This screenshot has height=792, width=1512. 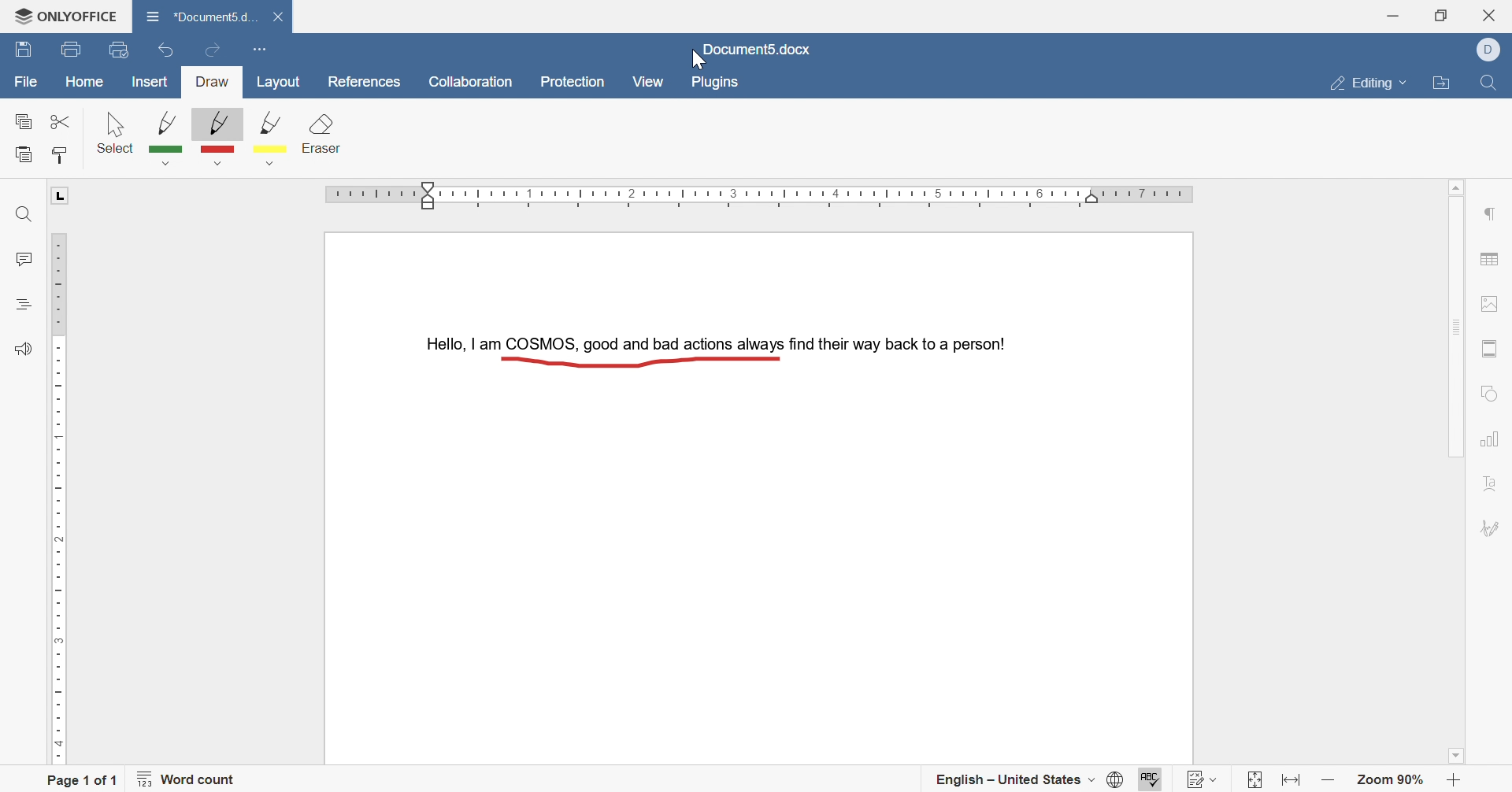 I want to click on chart settings, so click(x=1490, y=441).